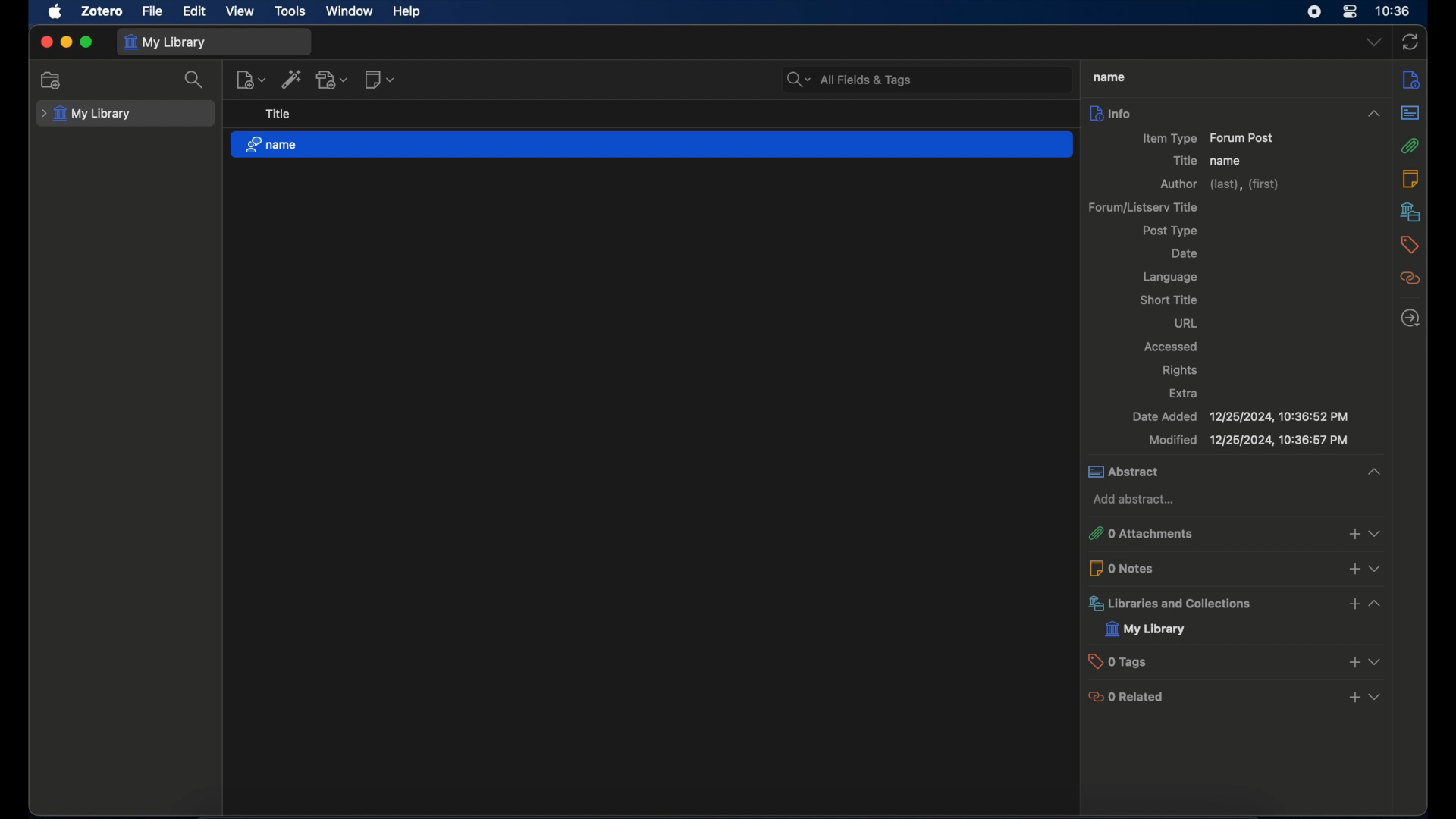  What do you see at coordinates (1410, 212) in the screenshot?
I see `libraries` at bounding box center [1410, 212].